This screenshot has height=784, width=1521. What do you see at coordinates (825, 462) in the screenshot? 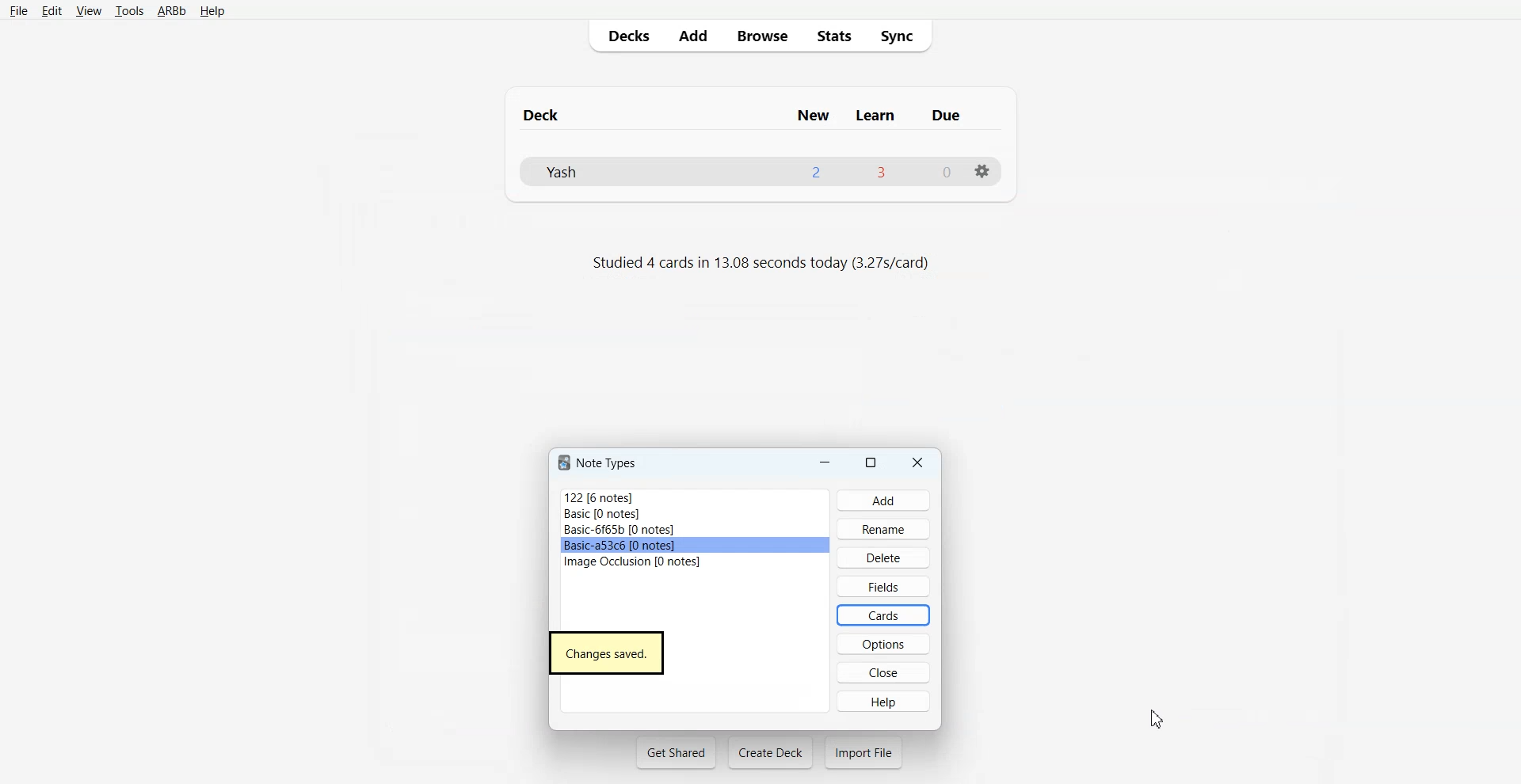
I see `Minimize` at bounding box center [825, 462].